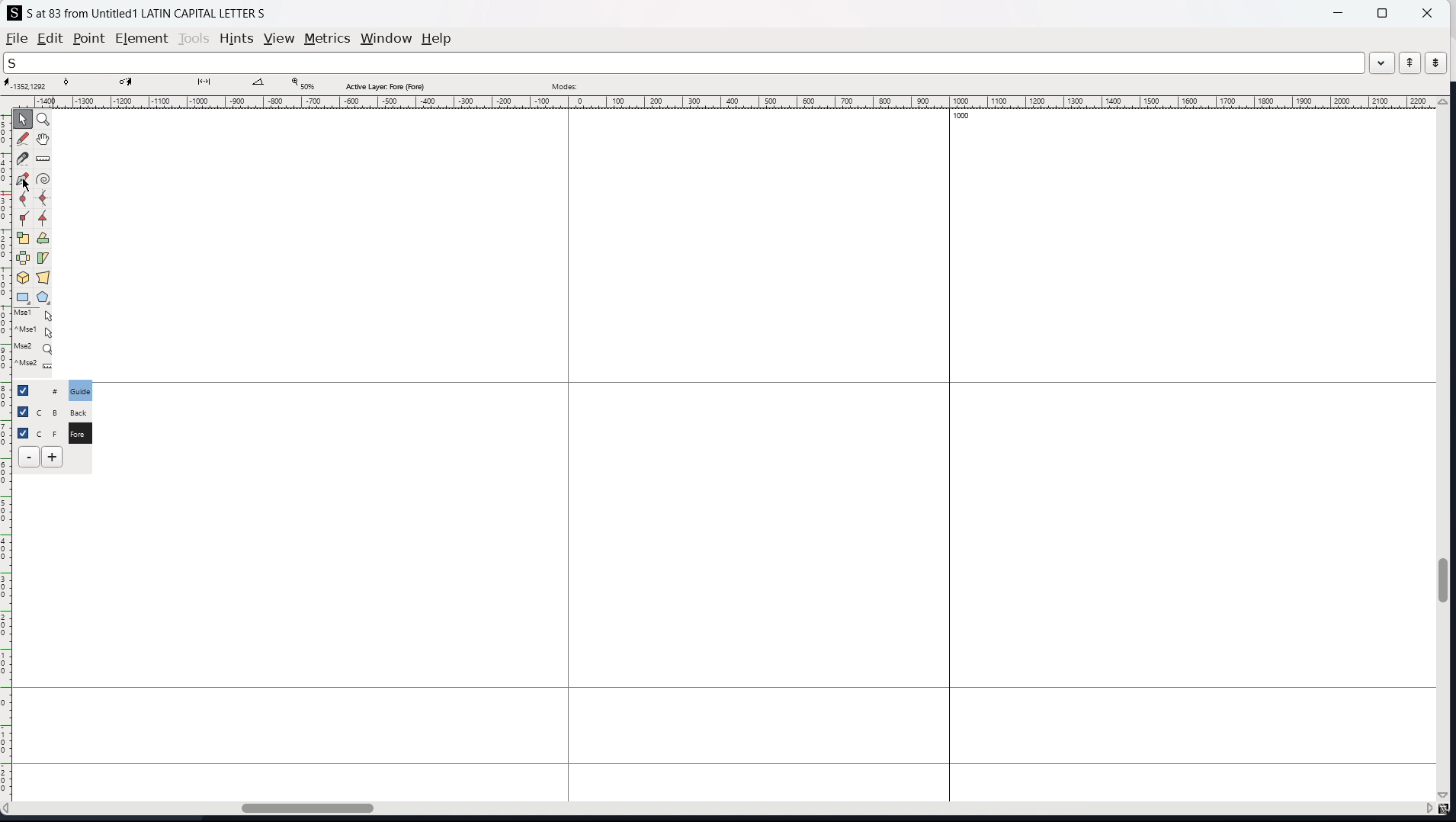 The height and width of the screenshot is (822, 1456). Describe the element at coordinates (23, 278) in the screenshot. I see `rotate the selection in 3D and project back to plane ` at that location.